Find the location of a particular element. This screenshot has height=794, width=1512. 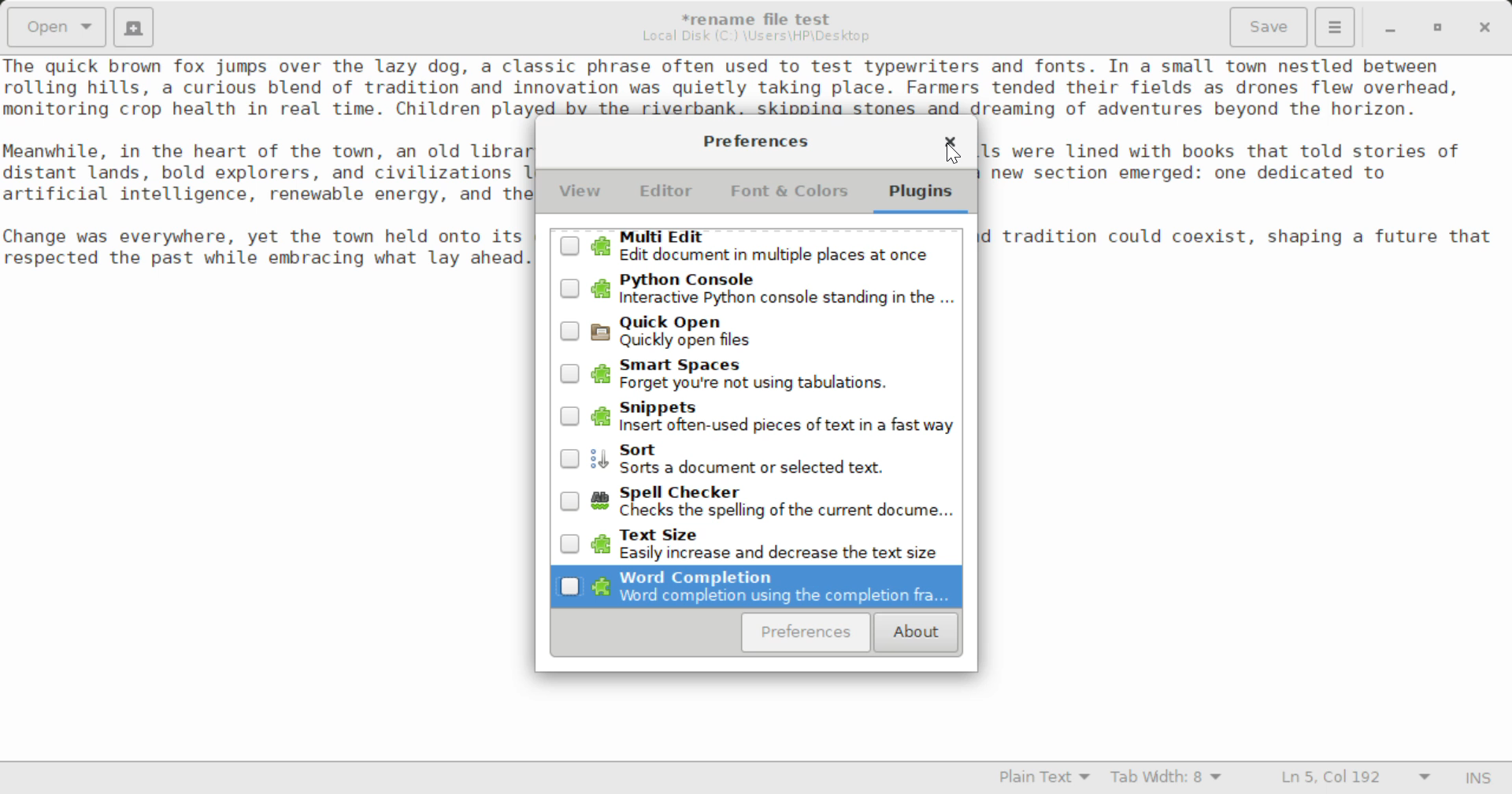

Multi Edit Plugin Button Unselected is located at coordinates (750, 248).